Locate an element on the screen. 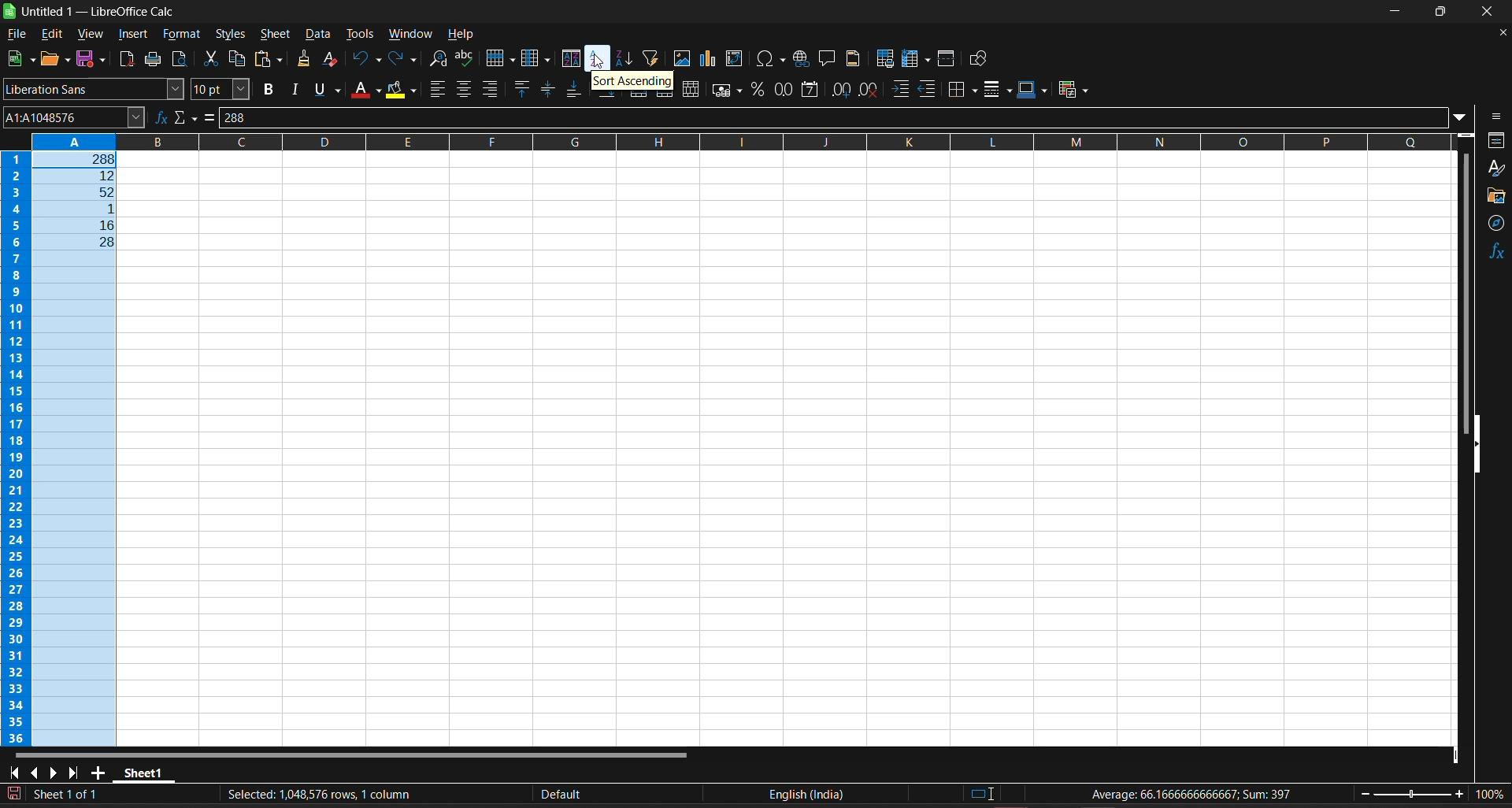 The image size is (1512, 808). horizontal scroll bar is located at coordinates (353, 753).